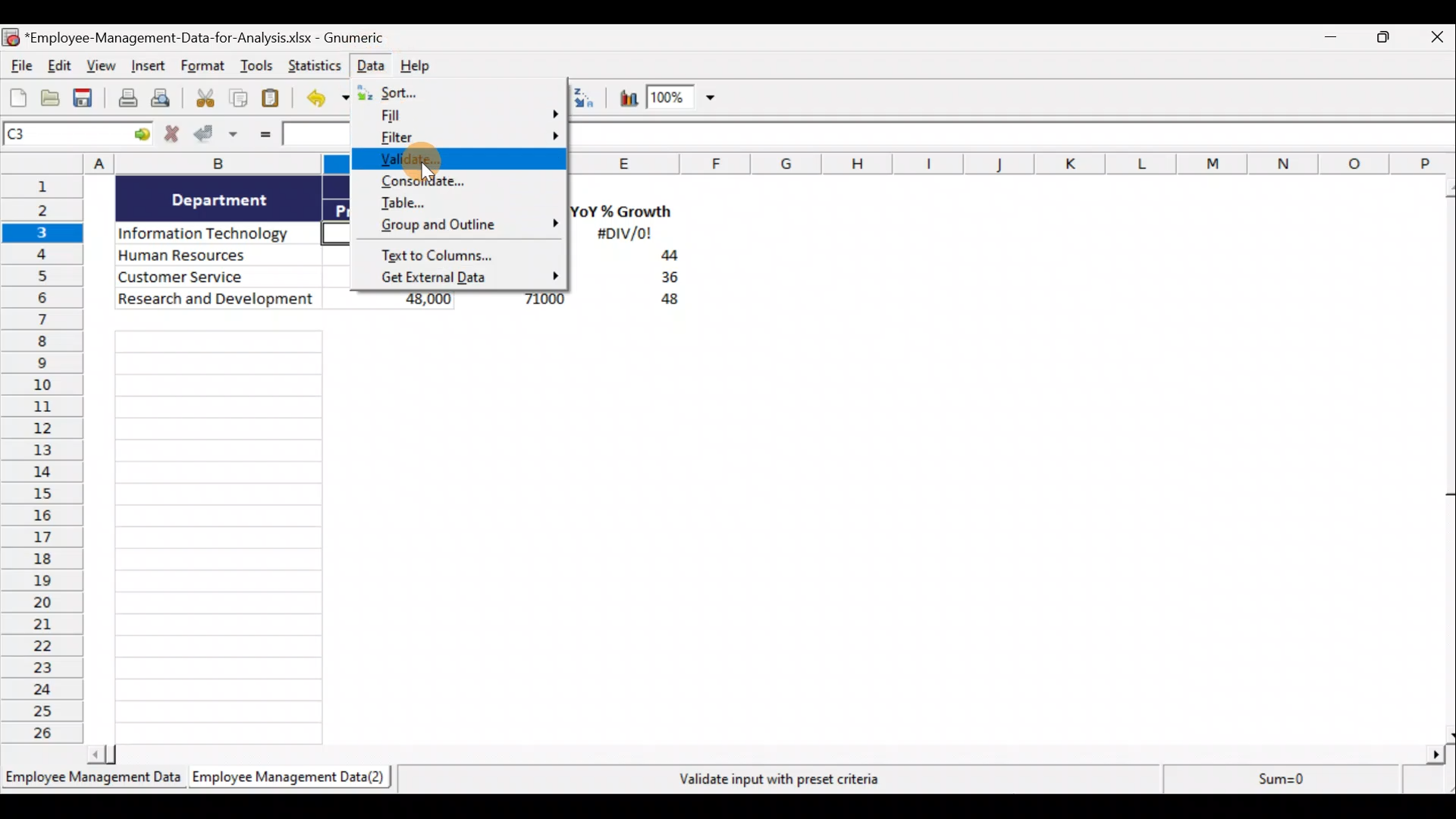  What do you see at coordinates (125, 99) in the screenshot?
I see `Print current file` at bounding box center [125, 99].